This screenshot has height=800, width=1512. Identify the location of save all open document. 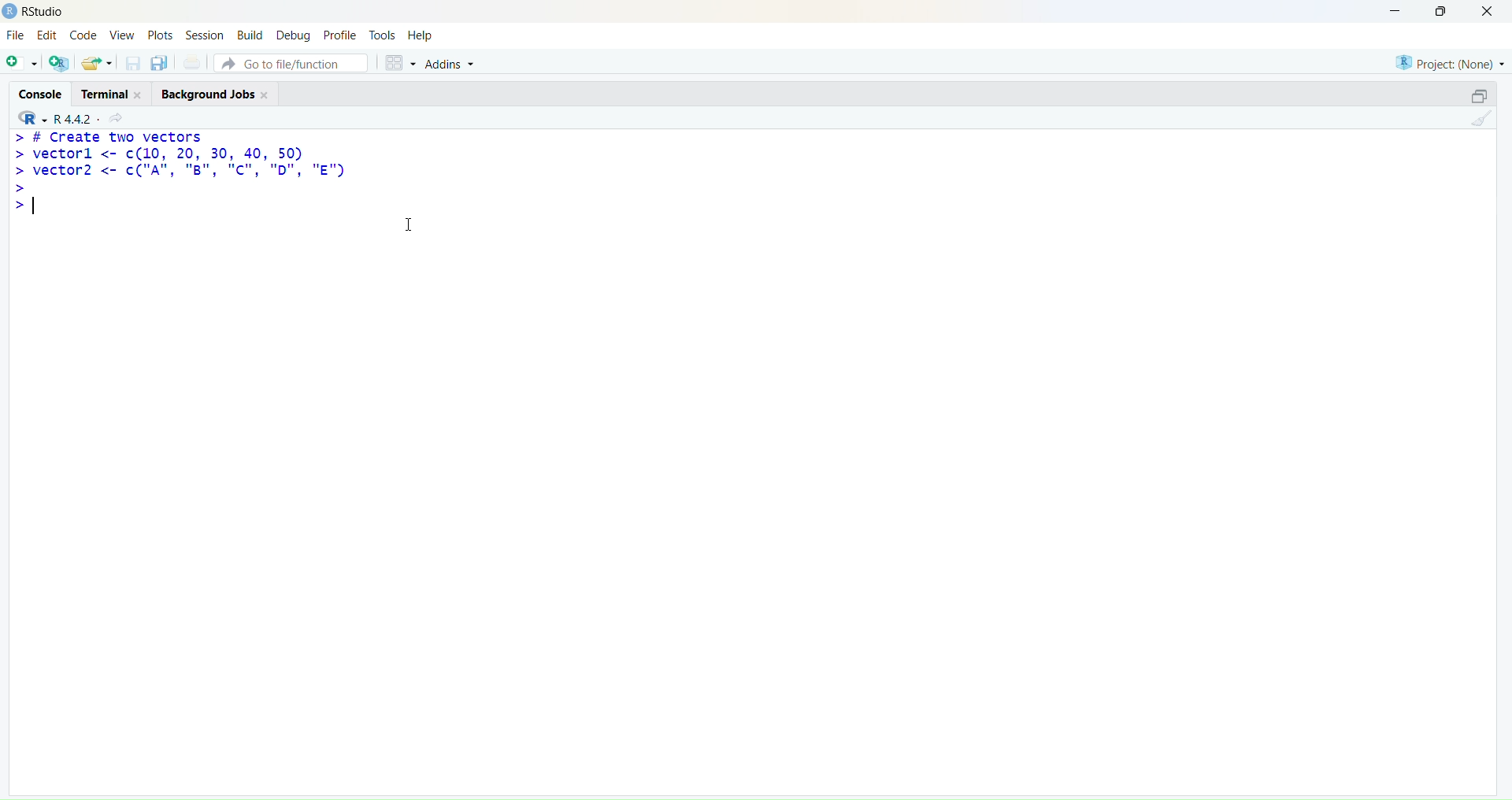
(161, 64).